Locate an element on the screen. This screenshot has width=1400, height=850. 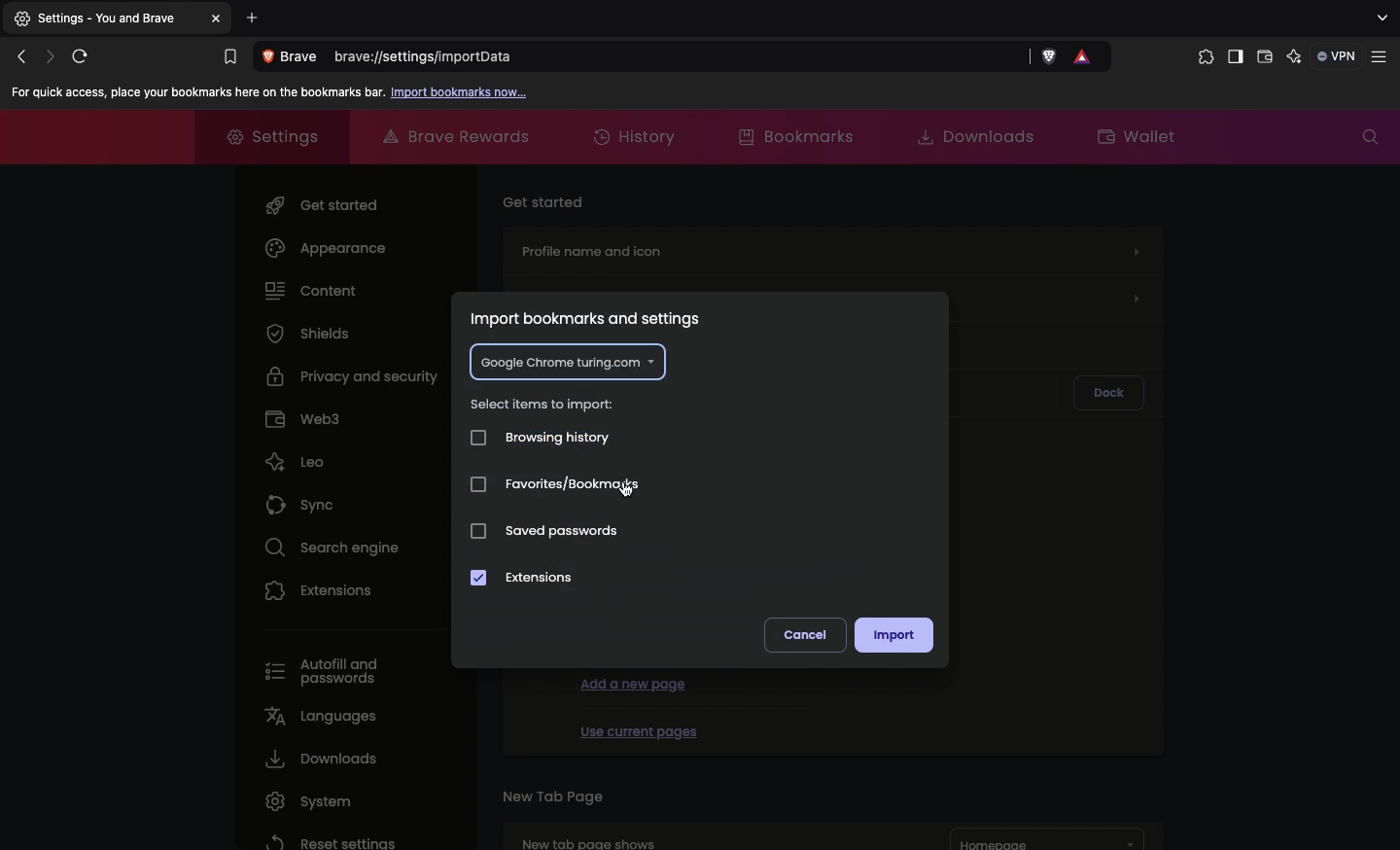
Sync is located at coordinates (304, 500).